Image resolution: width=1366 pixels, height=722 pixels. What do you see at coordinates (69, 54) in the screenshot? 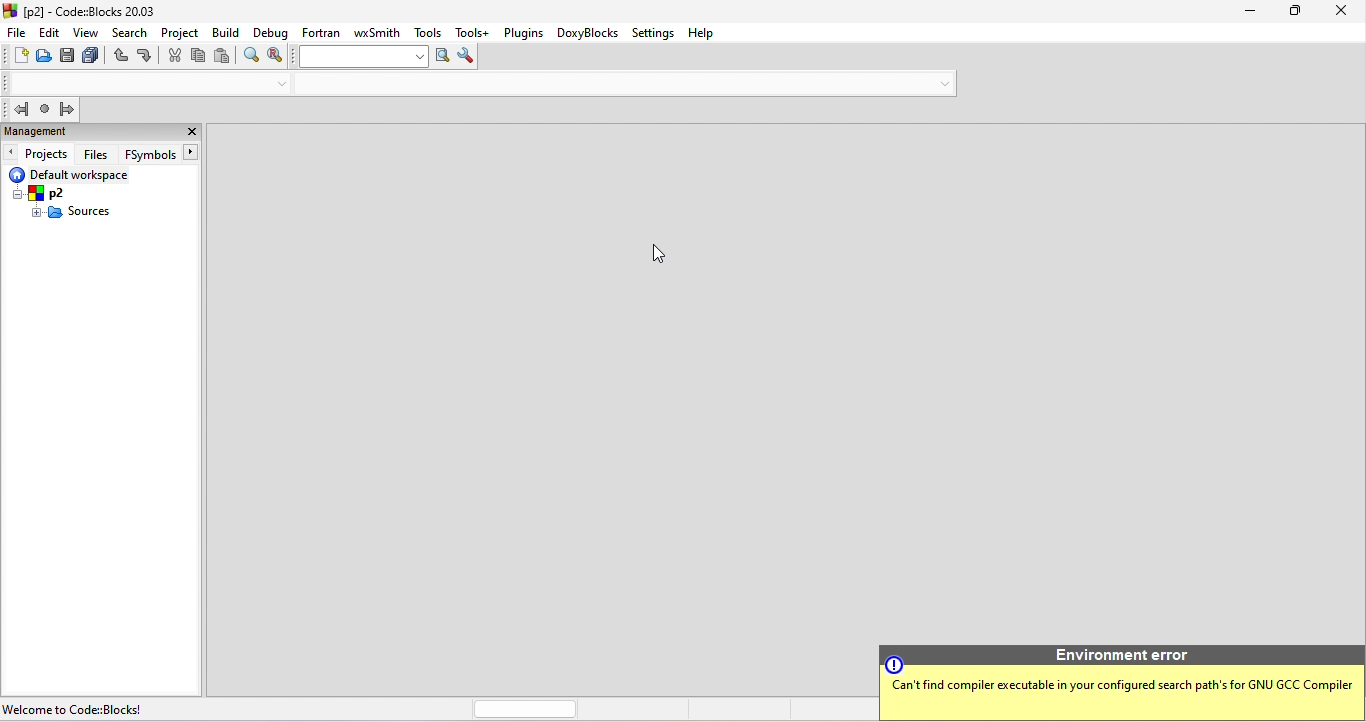
I see `save` at bounding box center [69, 54].